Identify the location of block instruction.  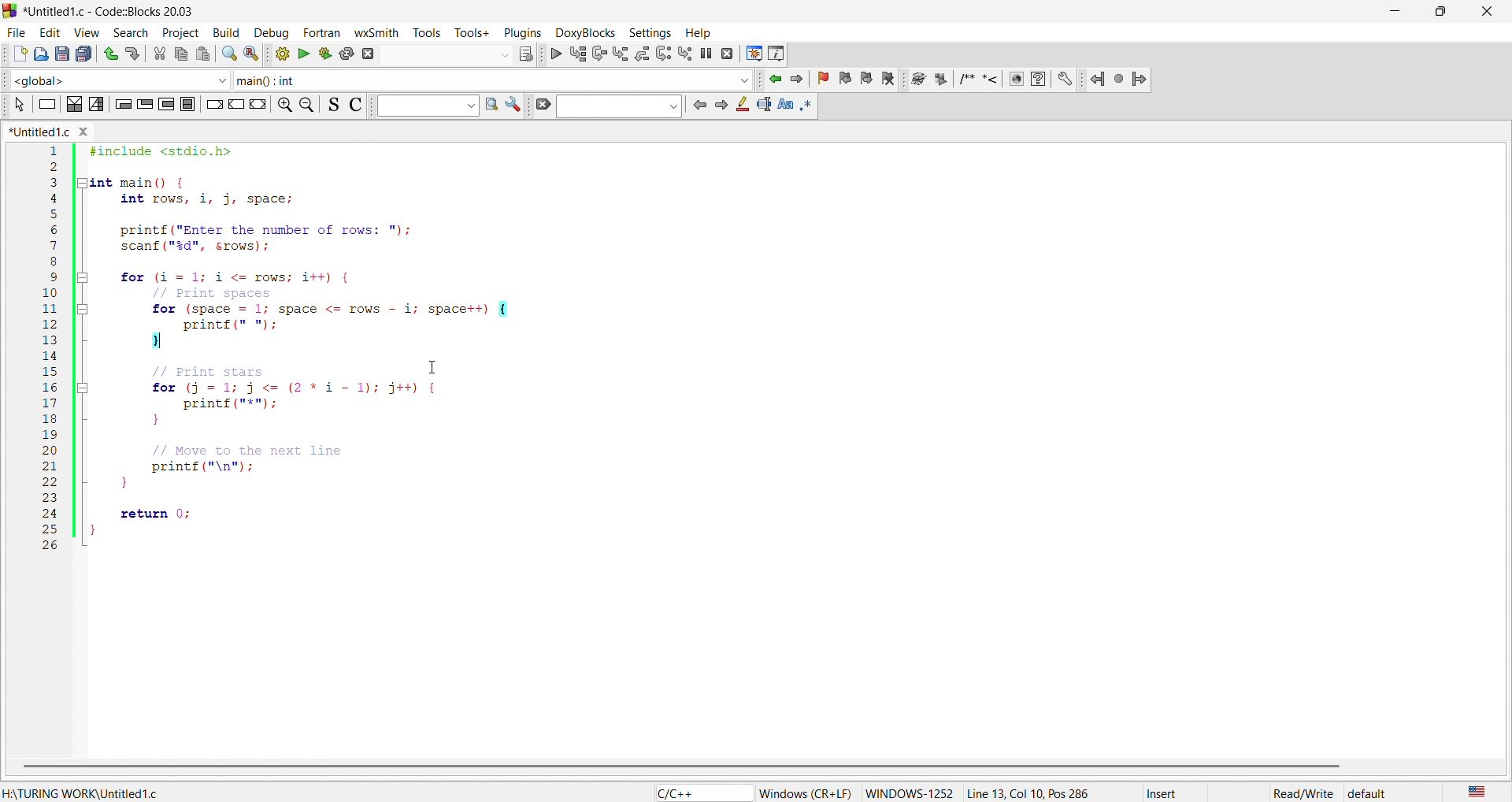
(187, 105).